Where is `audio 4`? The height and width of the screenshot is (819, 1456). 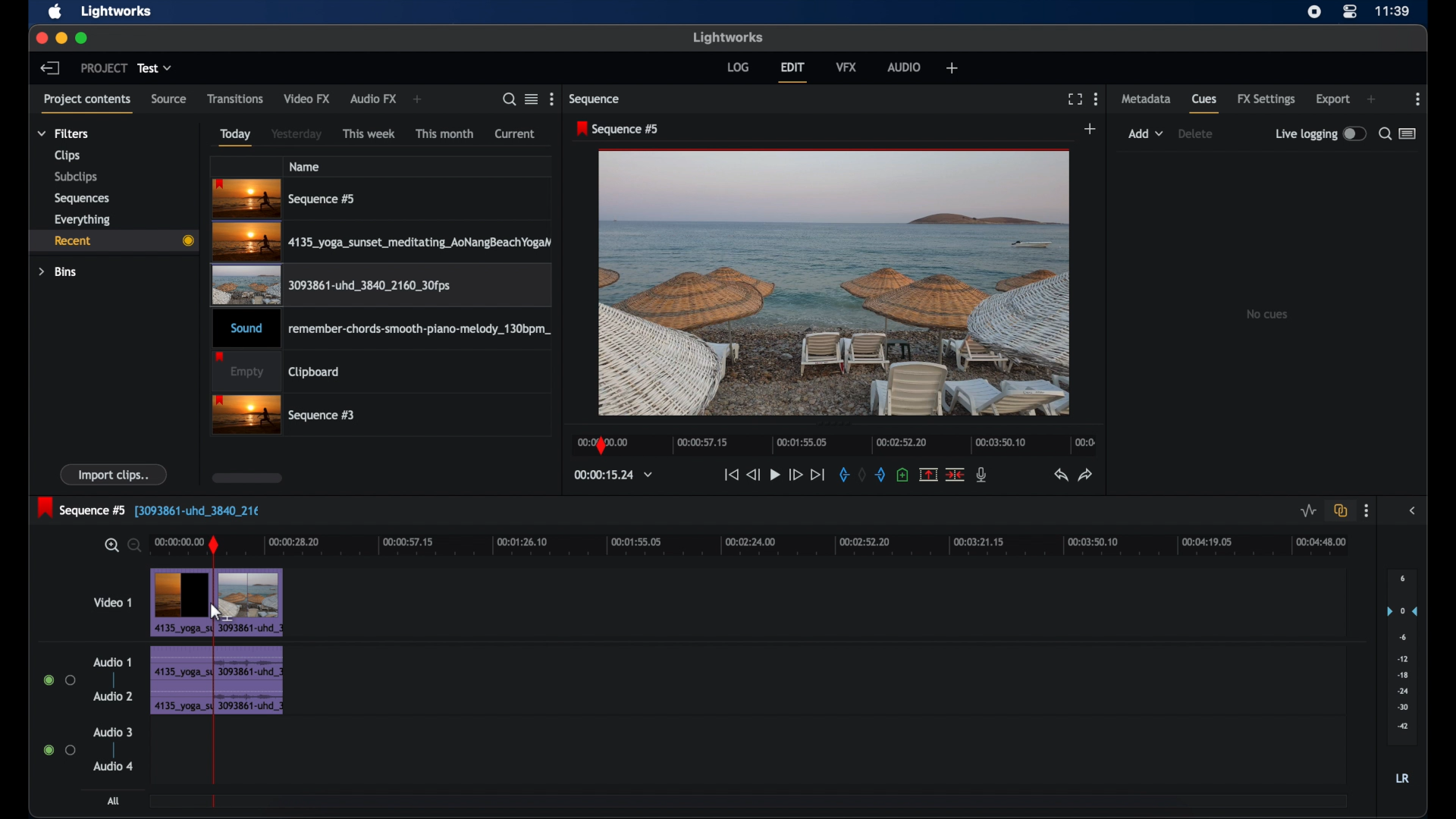
audio 4 is located at coordinates (111, 767).